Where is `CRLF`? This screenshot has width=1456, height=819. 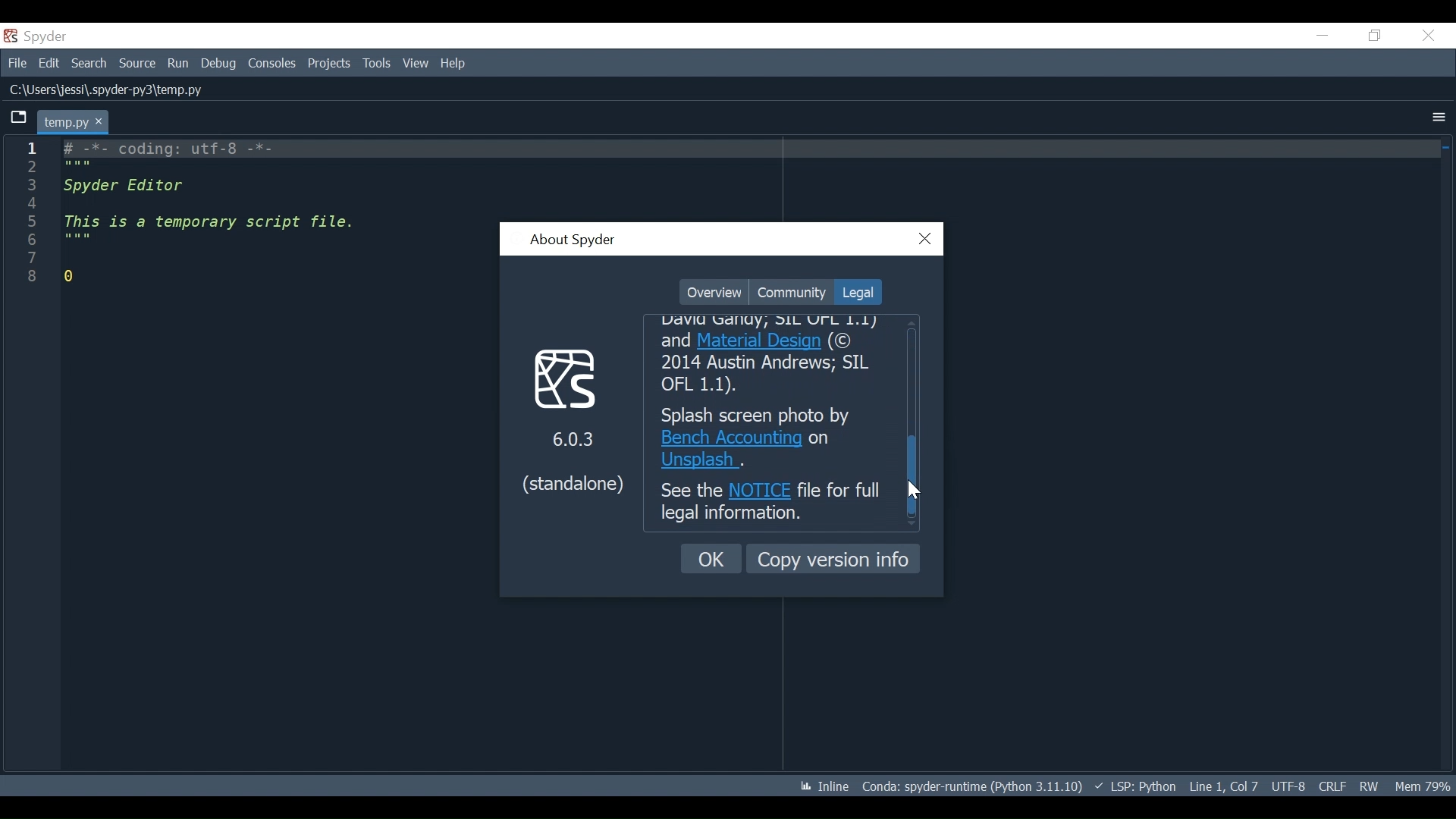
CRLF is located at coordinates (1332, 786).